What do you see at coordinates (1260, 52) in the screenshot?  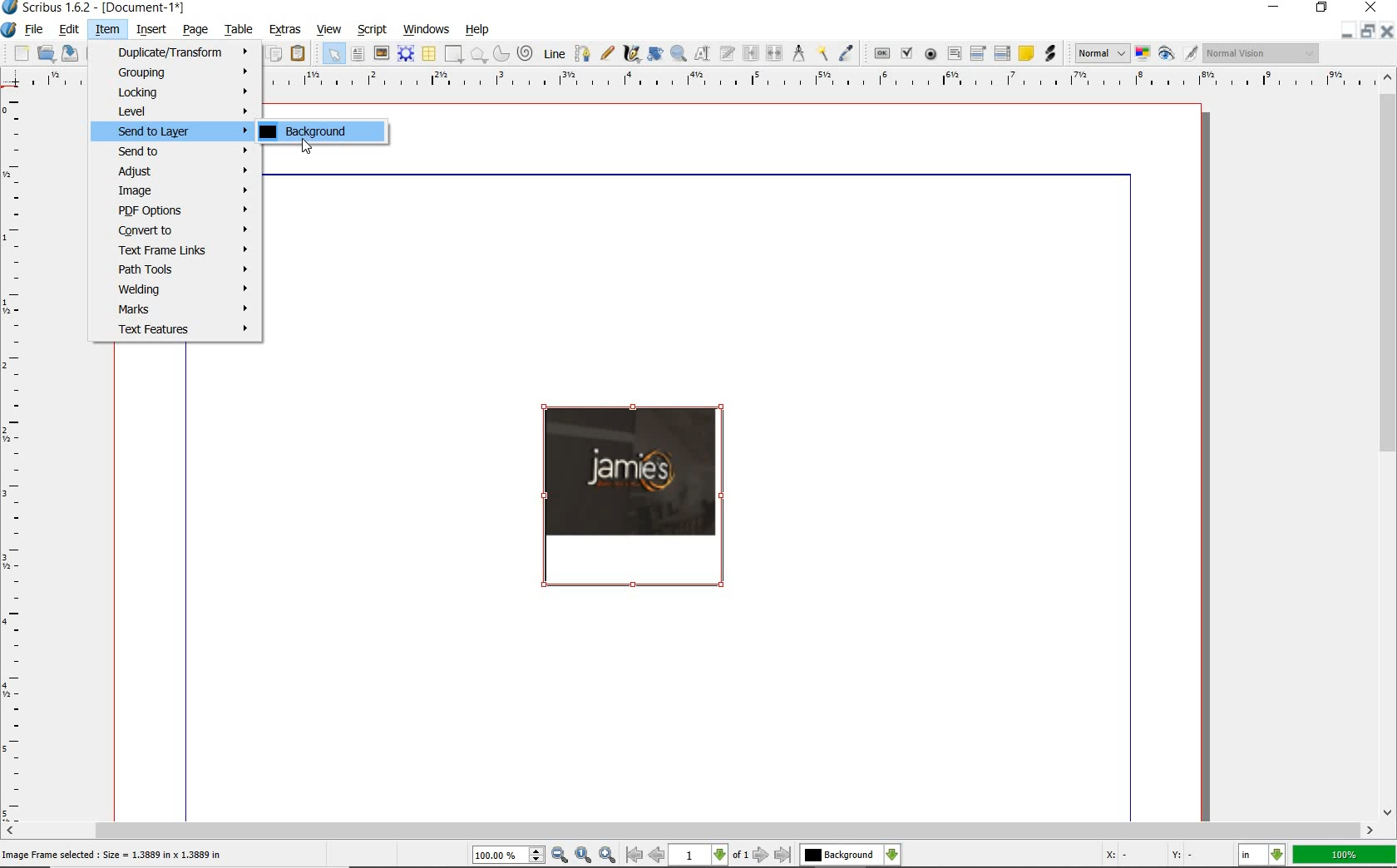 I see `visual appearance of the display: Normal Vision` at bounding box center [1260, 52].